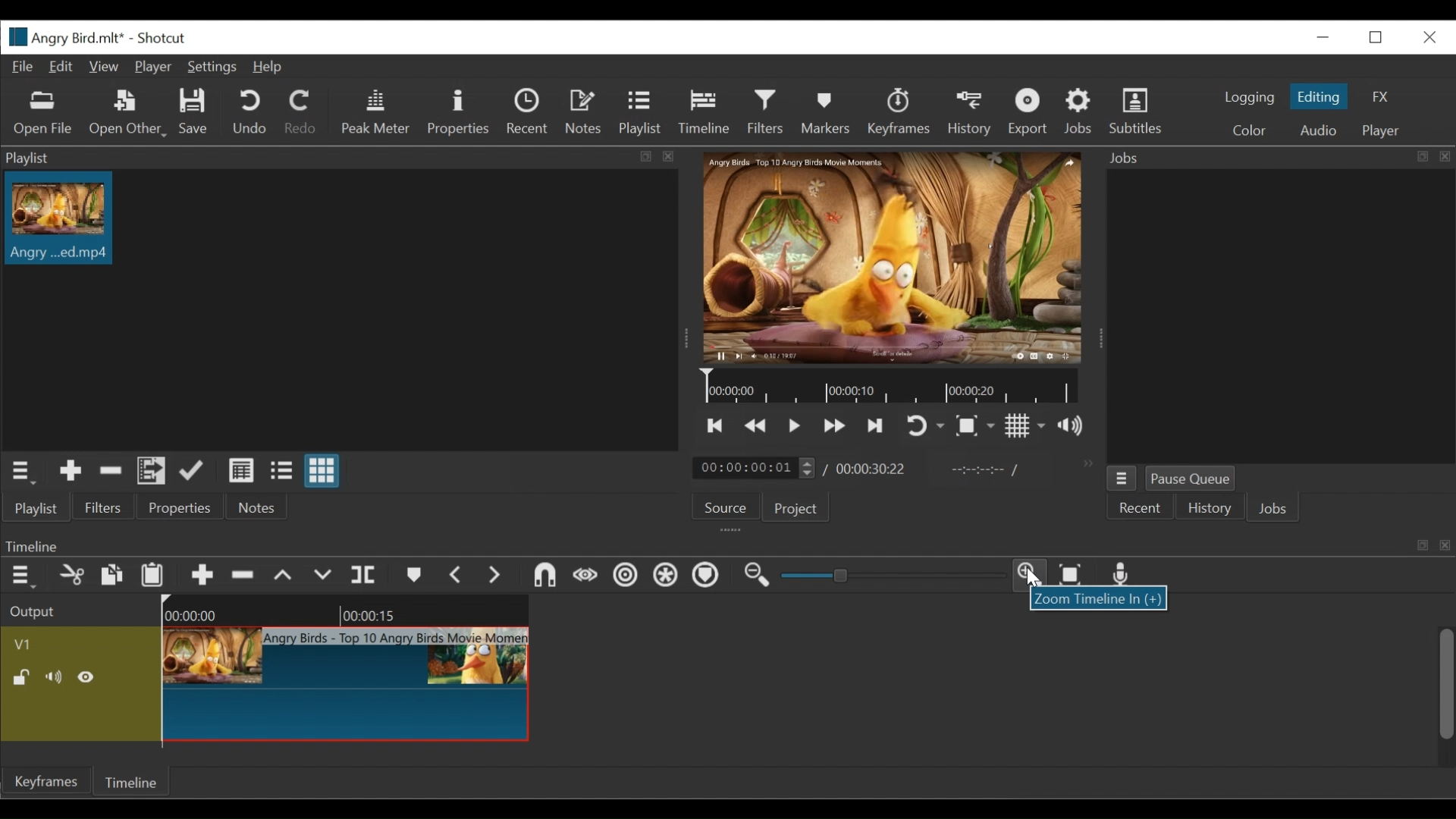 This screenshot has height=819, width=1456. I want to click on Jobs Panel, so click(1279, 158).